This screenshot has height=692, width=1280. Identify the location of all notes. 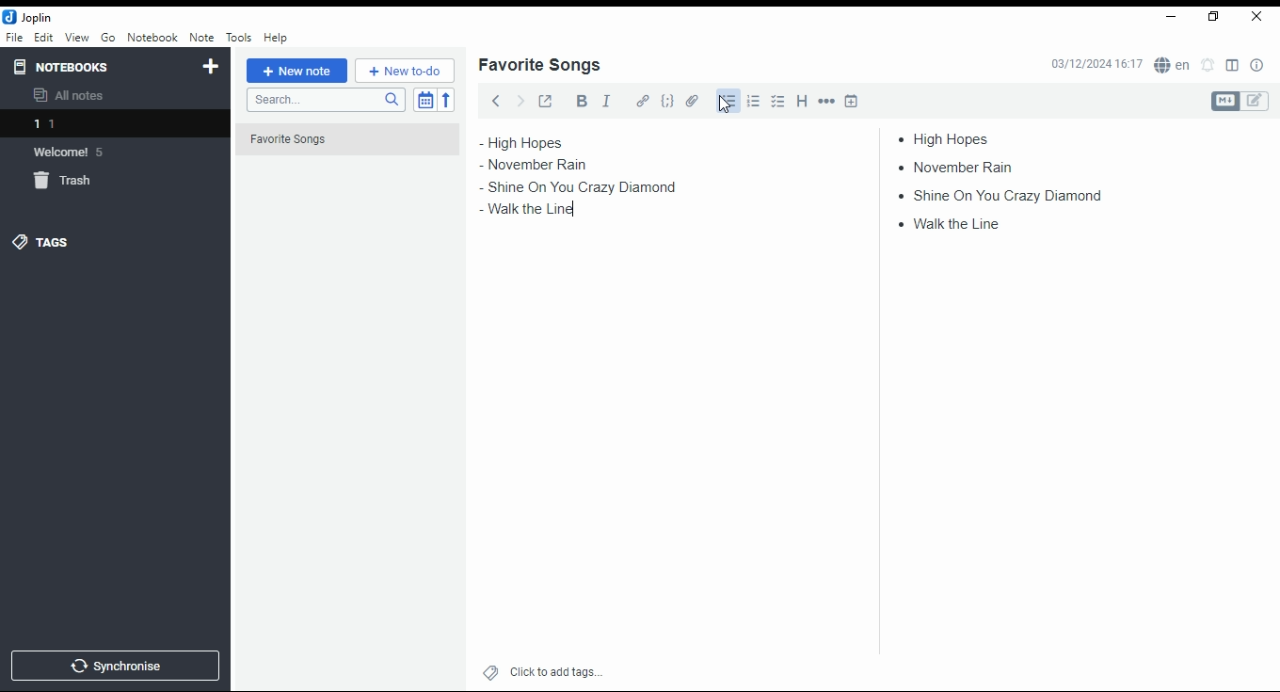
(74, 96).